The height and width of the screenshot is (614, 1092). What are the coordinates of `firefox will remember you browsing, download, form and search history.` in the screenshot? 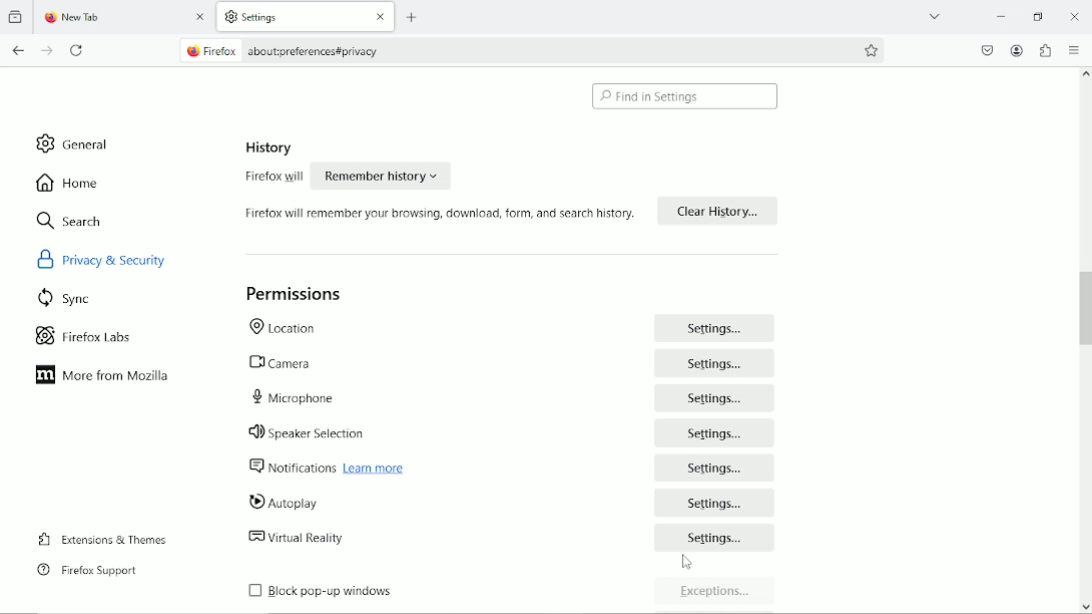 It's located at (434, 215).